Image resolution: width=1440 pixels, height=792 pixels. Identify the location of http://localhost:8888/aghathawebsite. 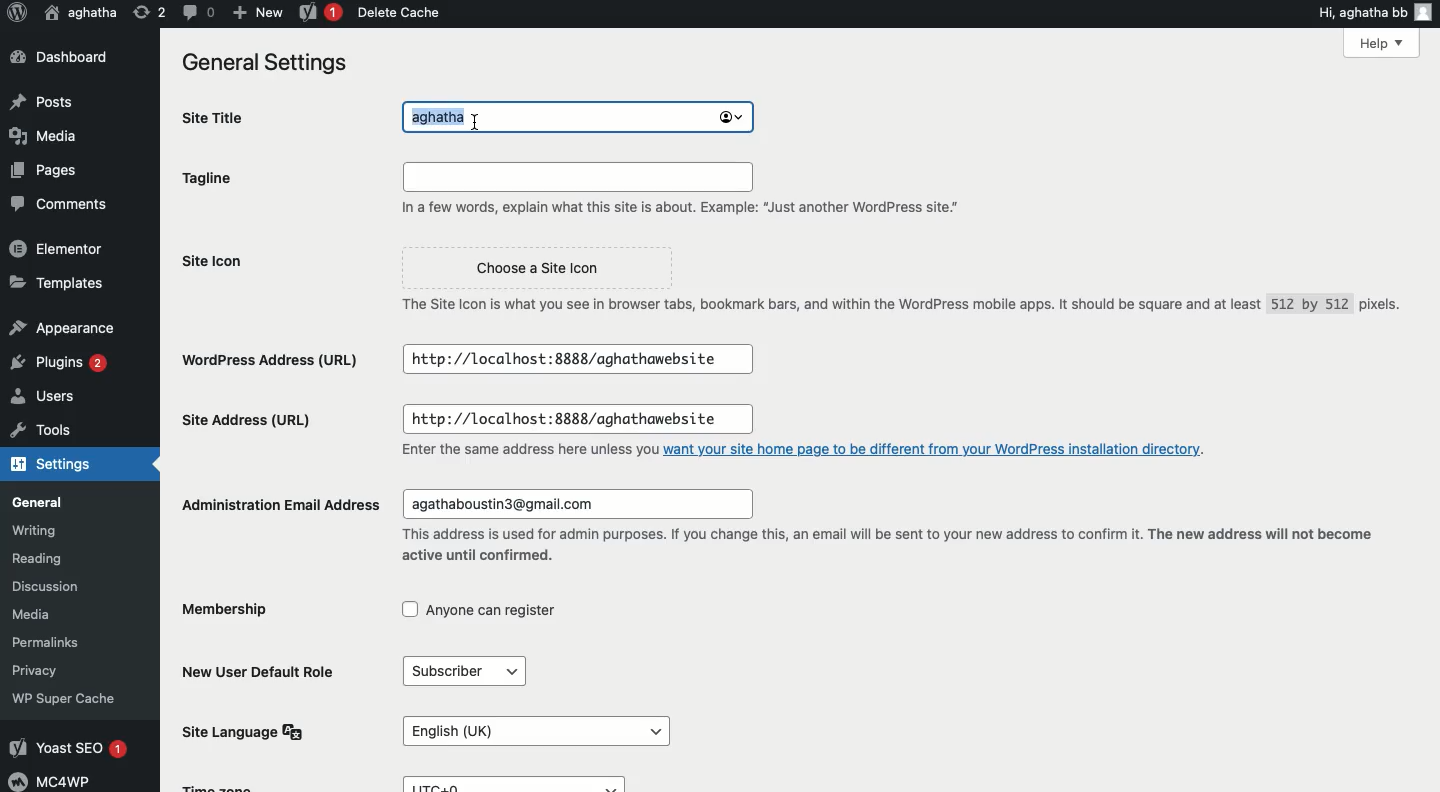
(578, 360).